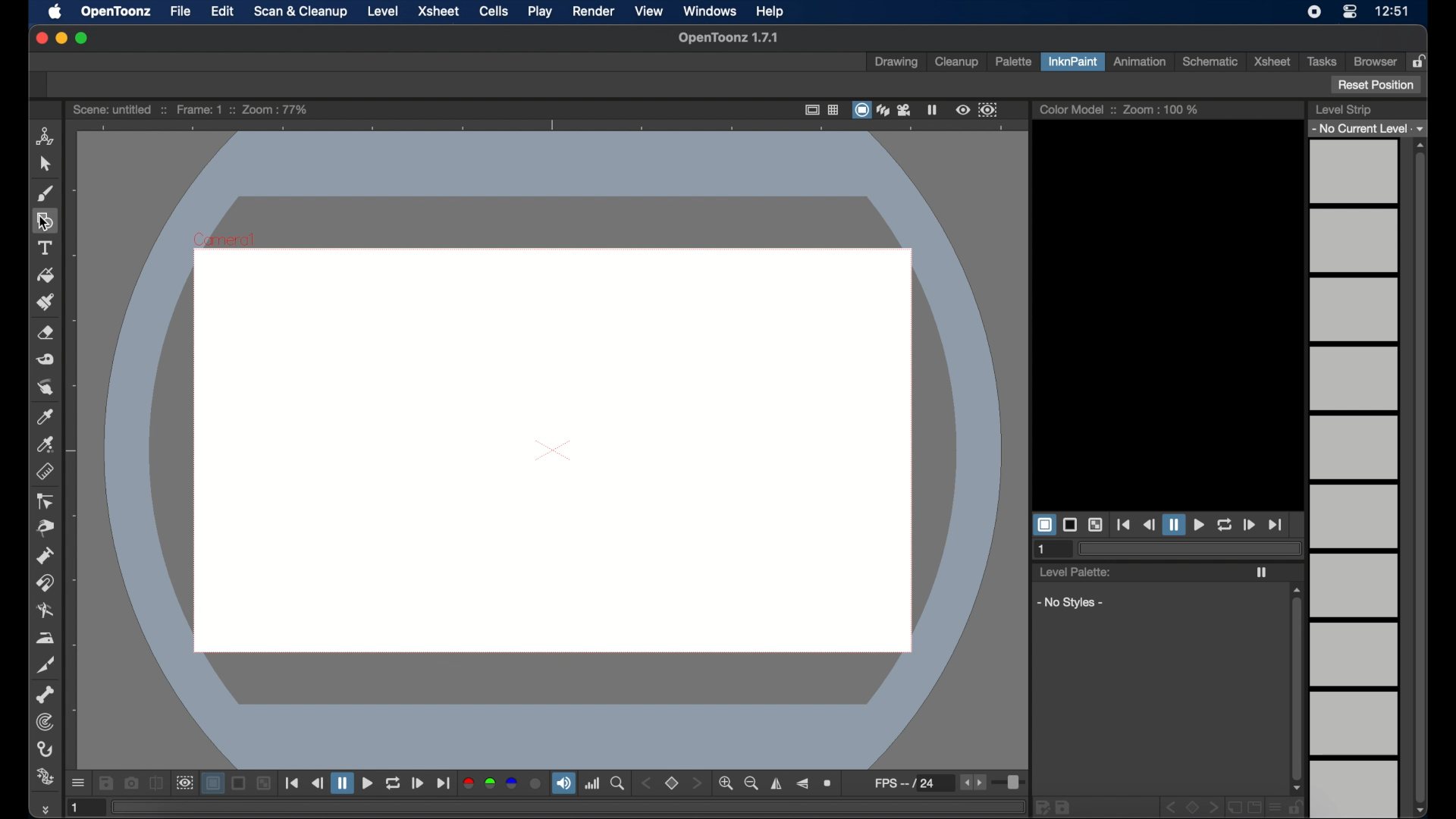  Describe the element at coordinates (240, 783) in the screenshot. I see `black background` at that location.